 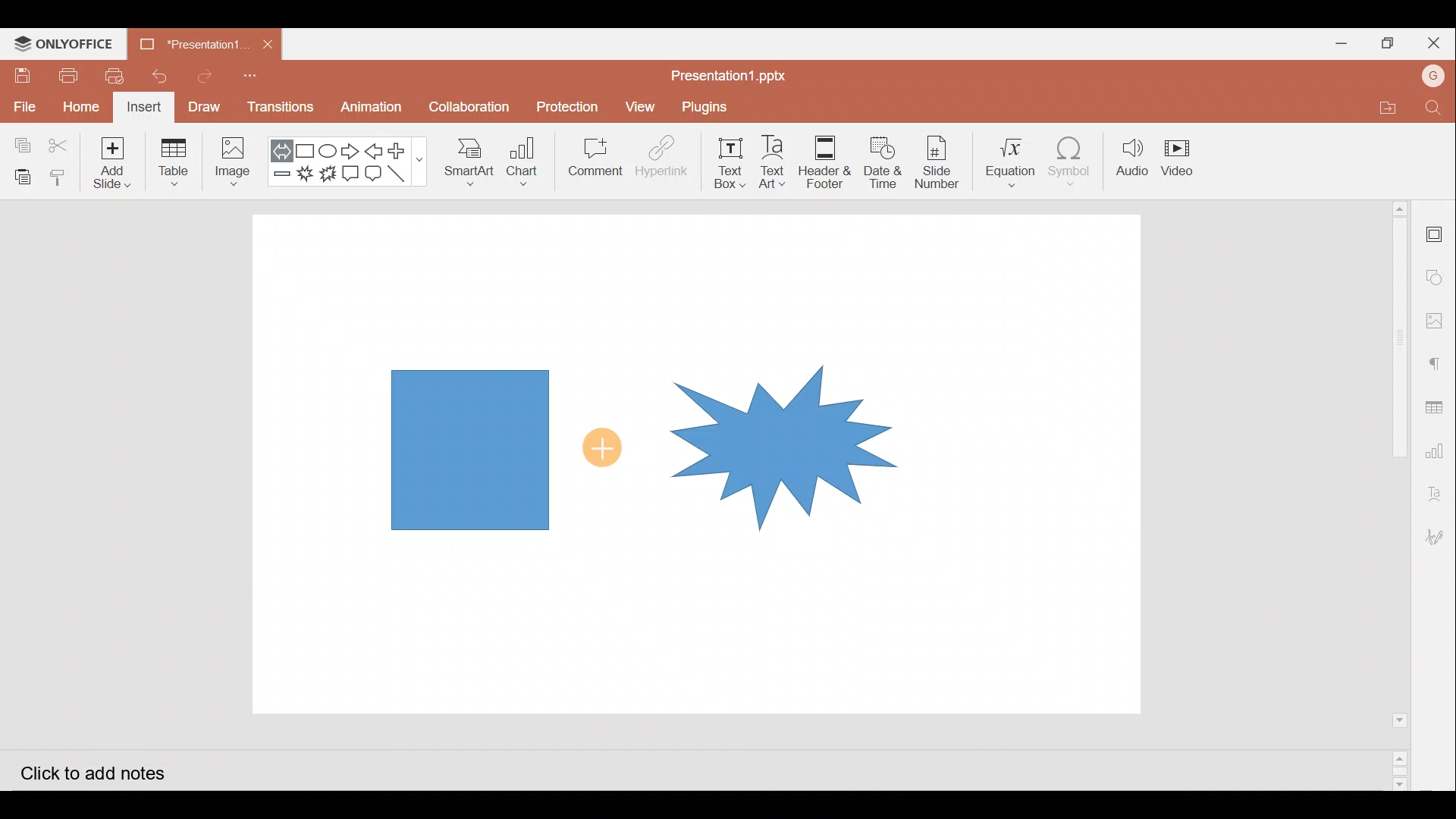 What do you see at coordinates (327, 149) in the screenshot?
I see `Ellipse` at bounding box center [327, 149].